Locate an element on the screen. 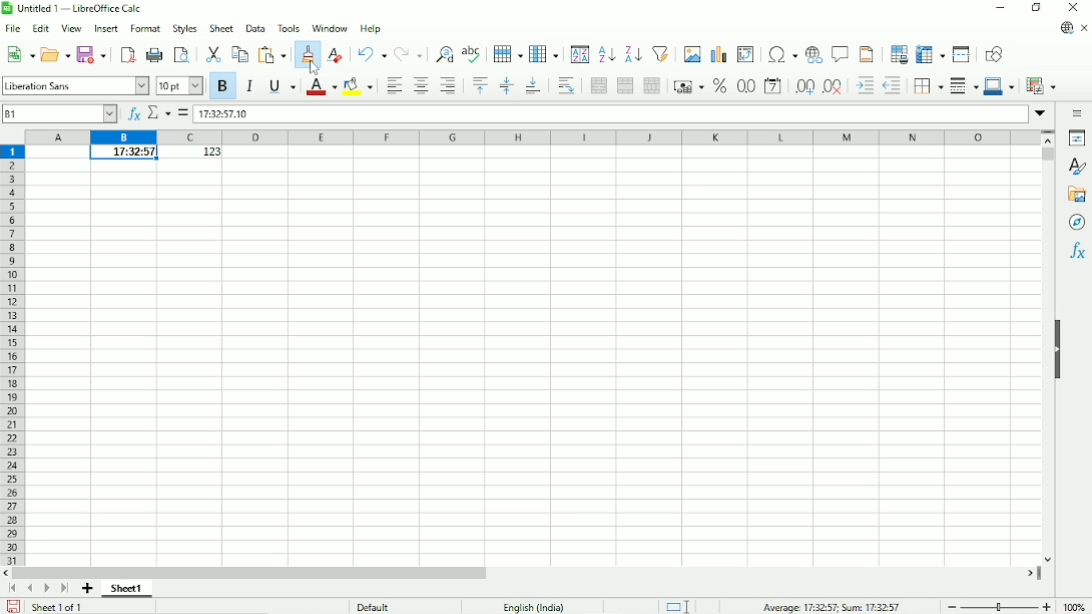 The width and height of the screenshot is (1092, 614). Format as percent is located at coordinates (719, 87).